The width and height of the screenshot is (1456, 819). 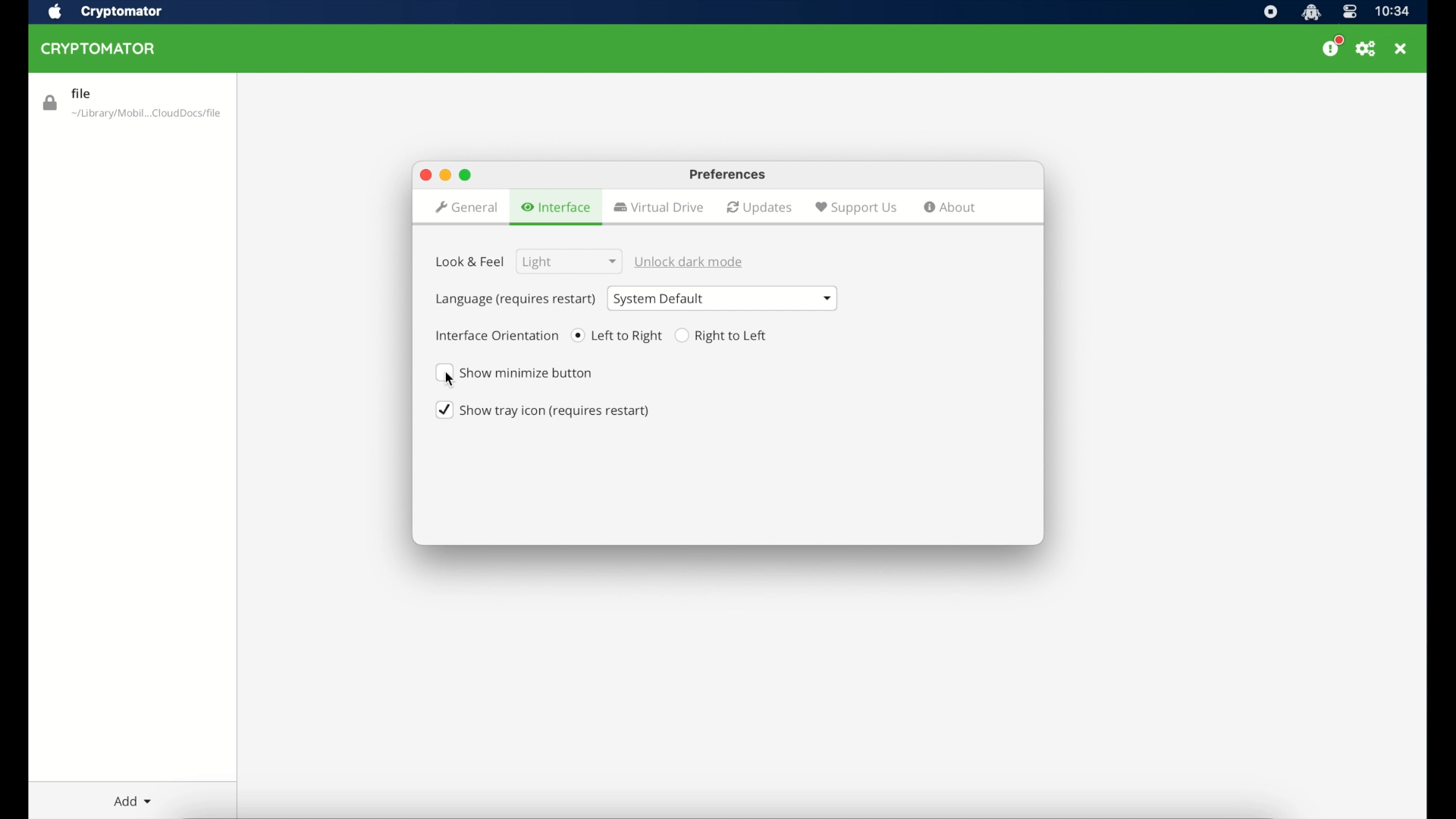 I want to click on dropdown, so click(x=723, y=298).